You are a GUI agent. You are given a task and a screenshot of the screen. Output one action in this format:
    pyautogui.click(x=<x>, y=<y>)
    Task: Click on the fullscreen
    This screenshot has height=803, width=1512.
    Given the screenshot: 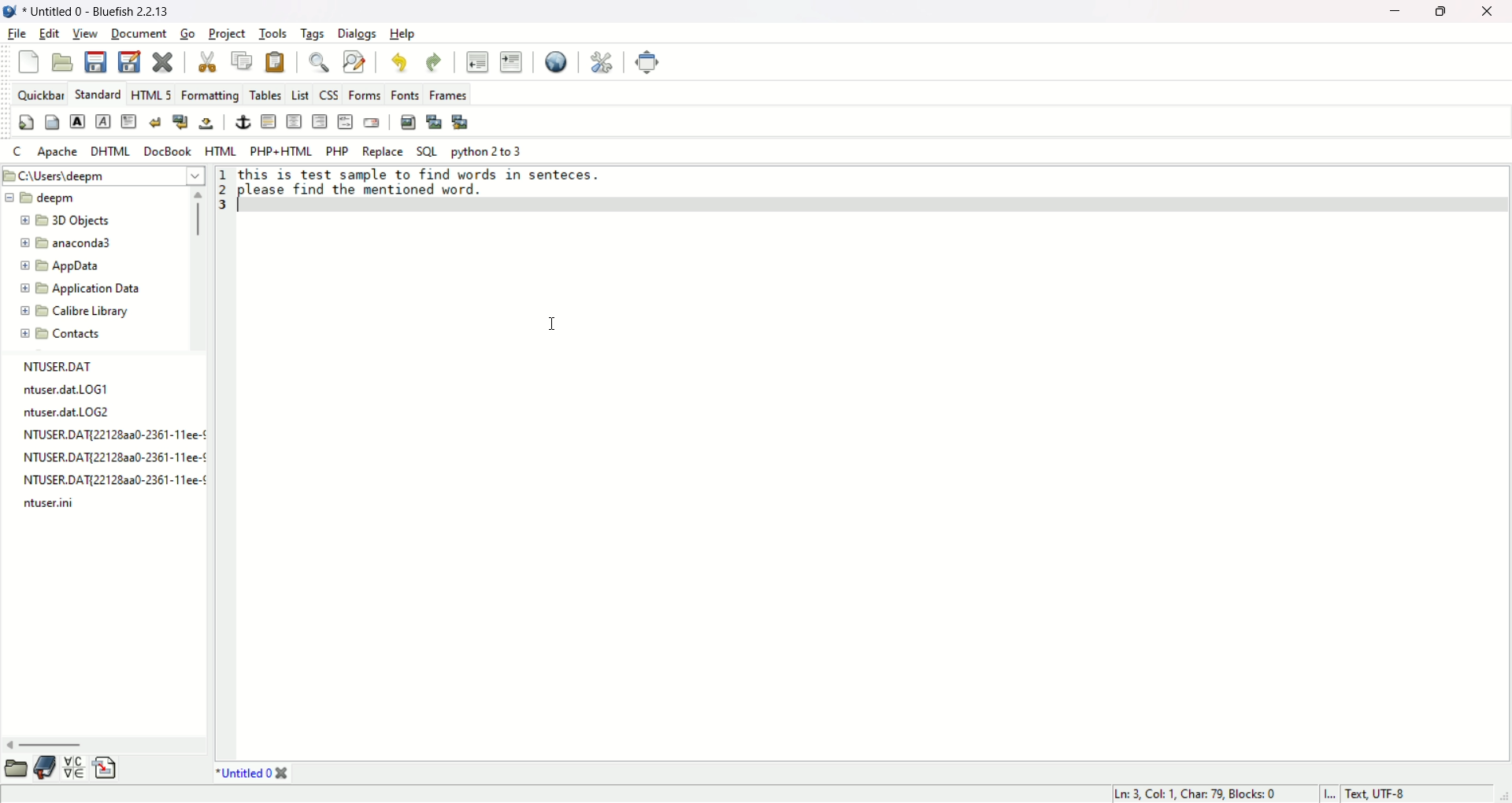 What is the action you would take?
    pyautogui.click(x=648, y=61)
    